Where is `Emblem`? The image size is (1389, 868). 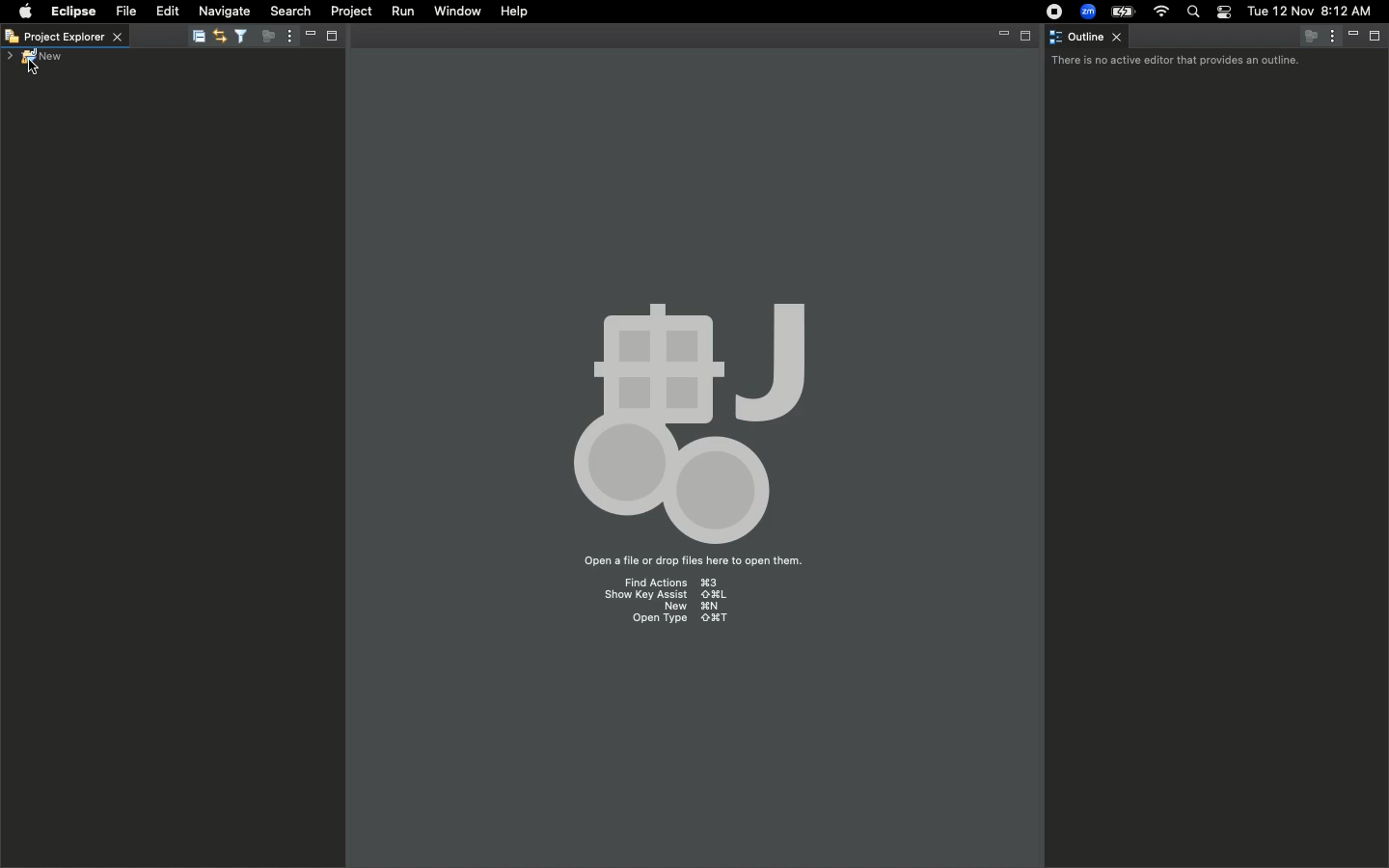
Emblem is located at coordinates (698, 415).